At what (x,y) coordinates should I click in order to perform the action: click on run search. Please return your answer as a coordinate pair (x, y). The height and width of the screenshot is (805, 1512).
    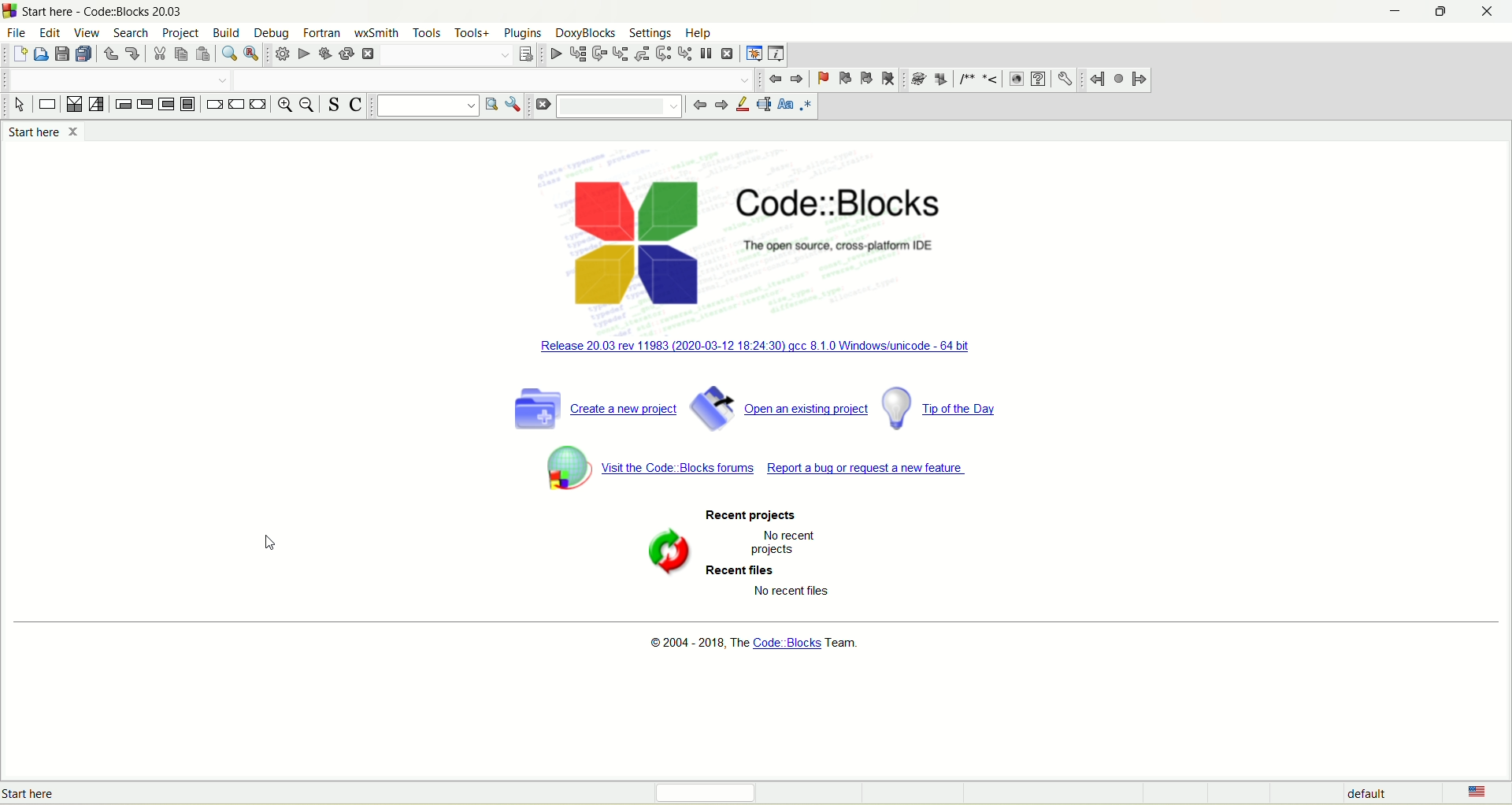
    Looking at the image, I should click on (491, 106).